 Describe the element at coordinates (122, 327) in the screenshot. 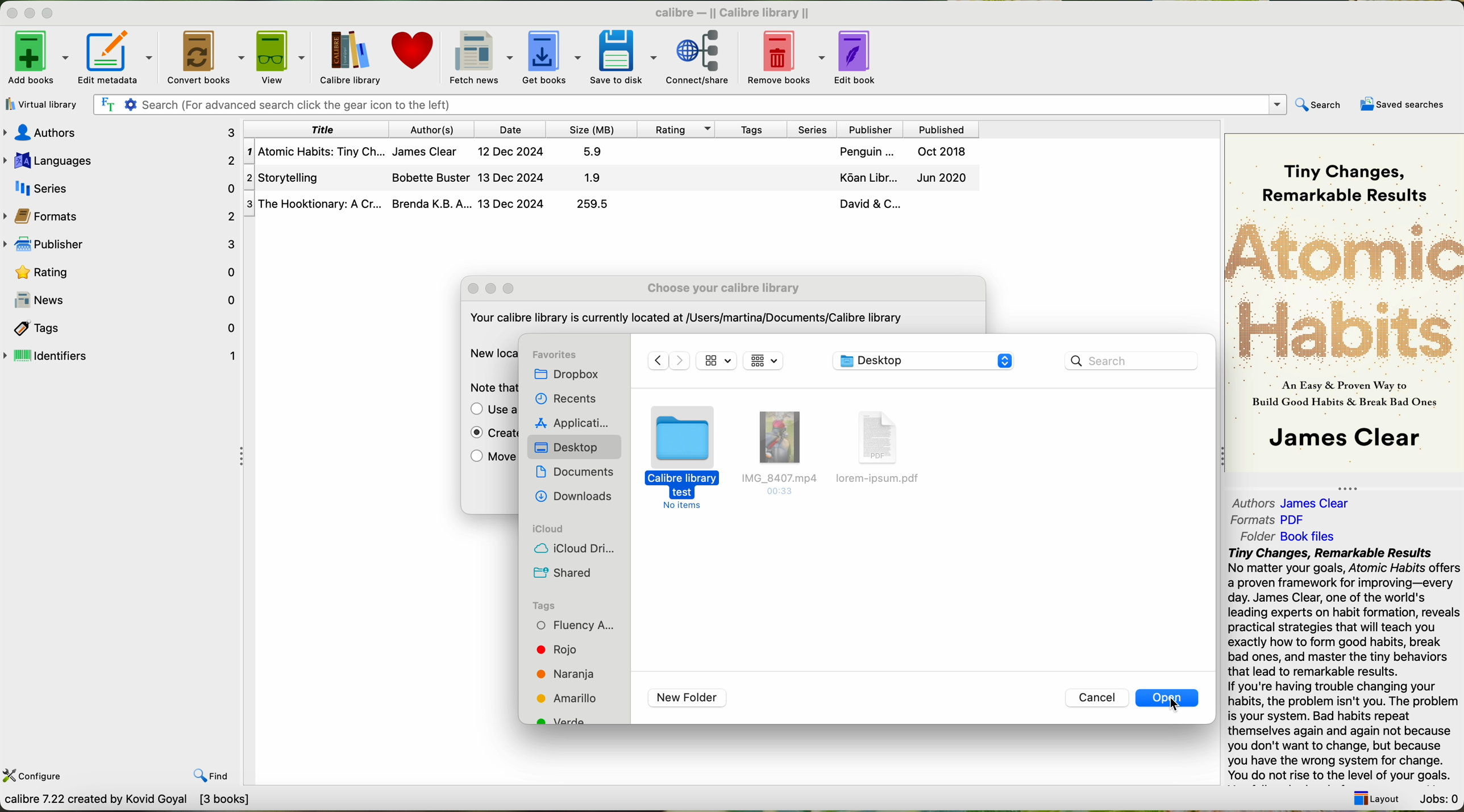

I see `tags` at that location.